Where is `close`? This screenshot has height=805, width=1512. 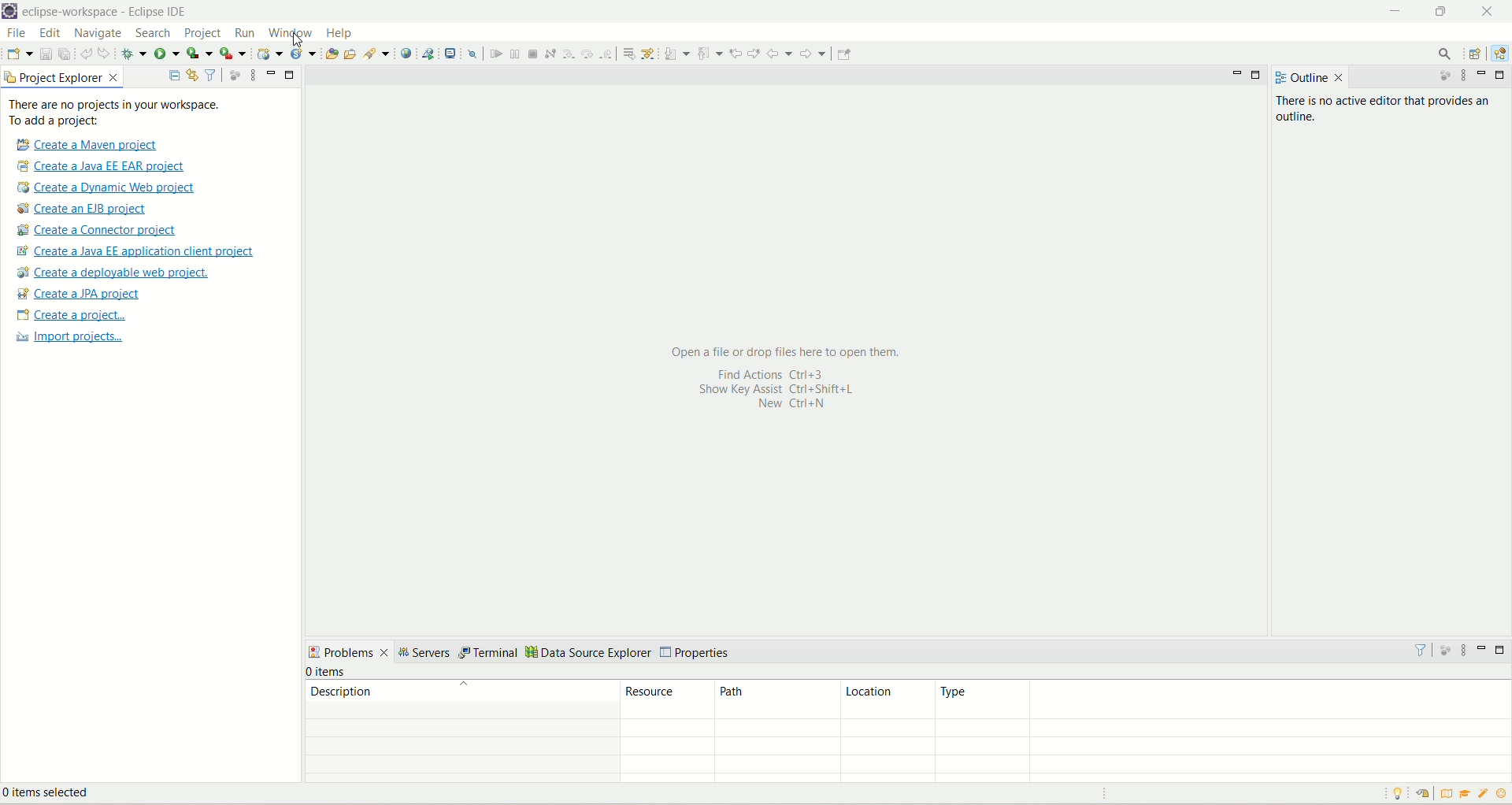 close is located at coordinates (1487, 11).